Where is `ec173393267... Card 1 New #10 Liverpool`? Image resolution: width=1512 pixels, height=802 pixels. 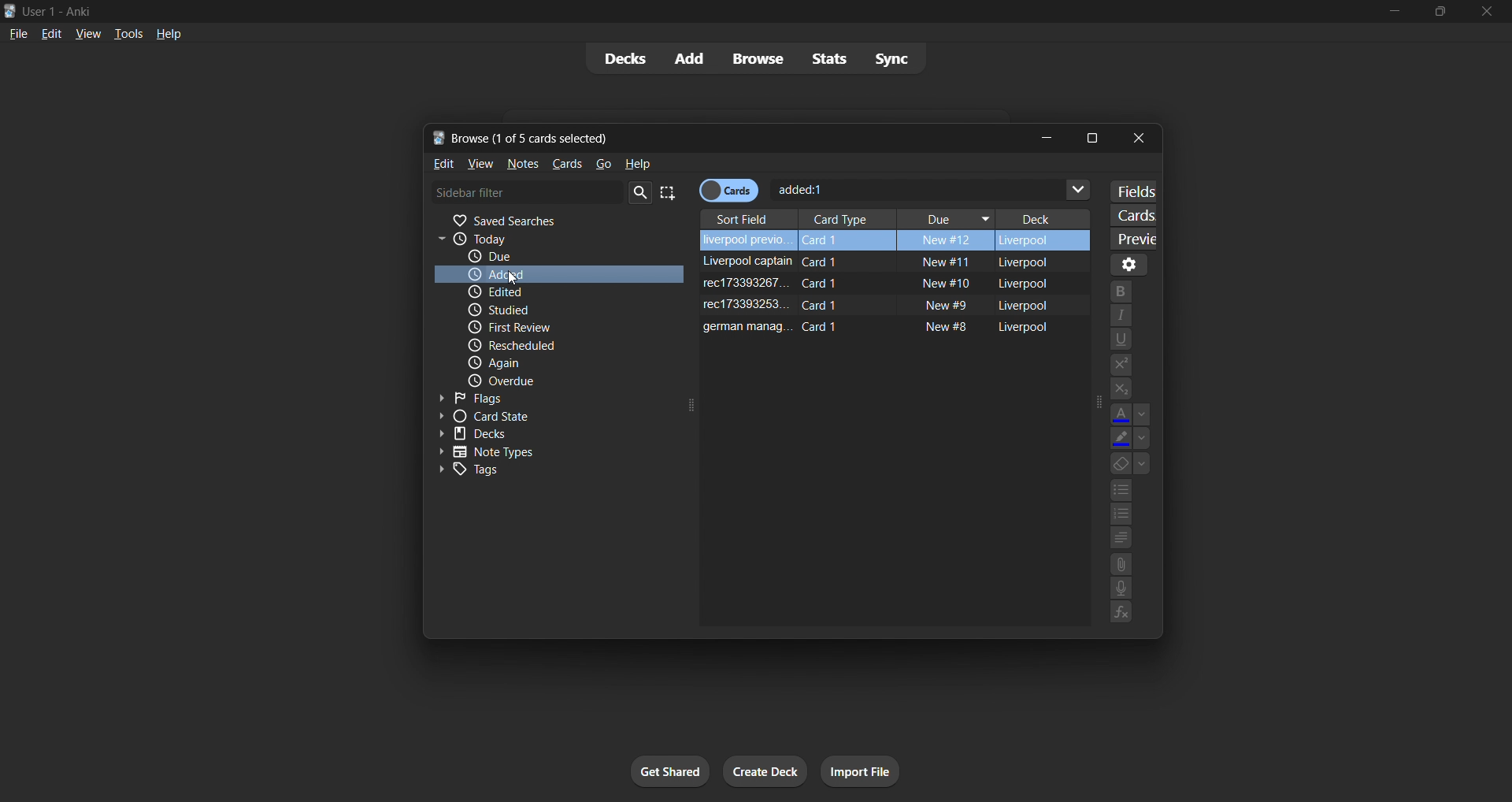
ec173393267... Card 1 New #10 Liverpool is located at coordinates (883, 283).